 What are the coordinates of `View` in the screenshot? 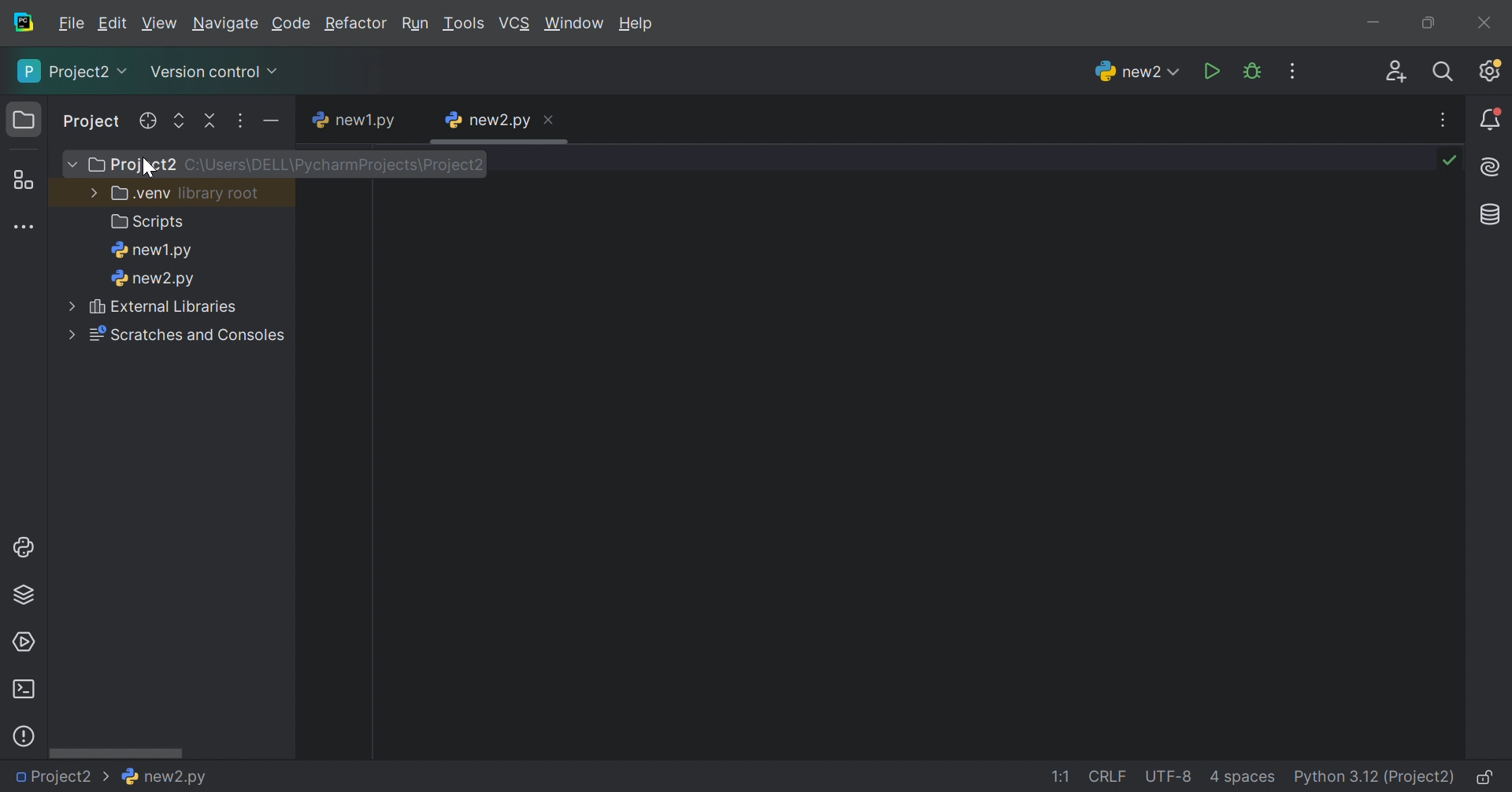 It's located at (160, 25).